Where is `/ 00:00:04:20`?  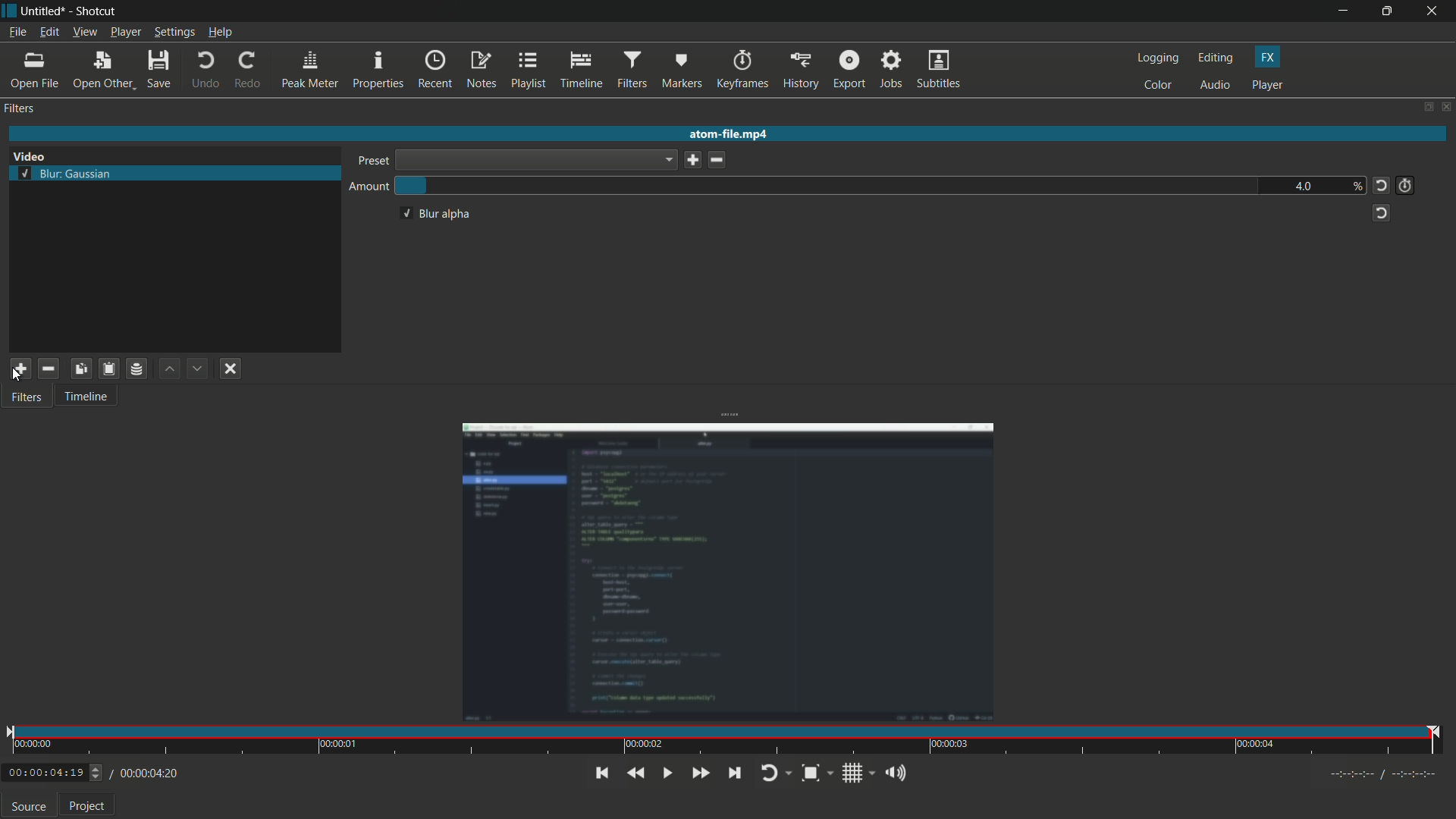
/ 00:00:04:20 is located at coordinates (145, 773).